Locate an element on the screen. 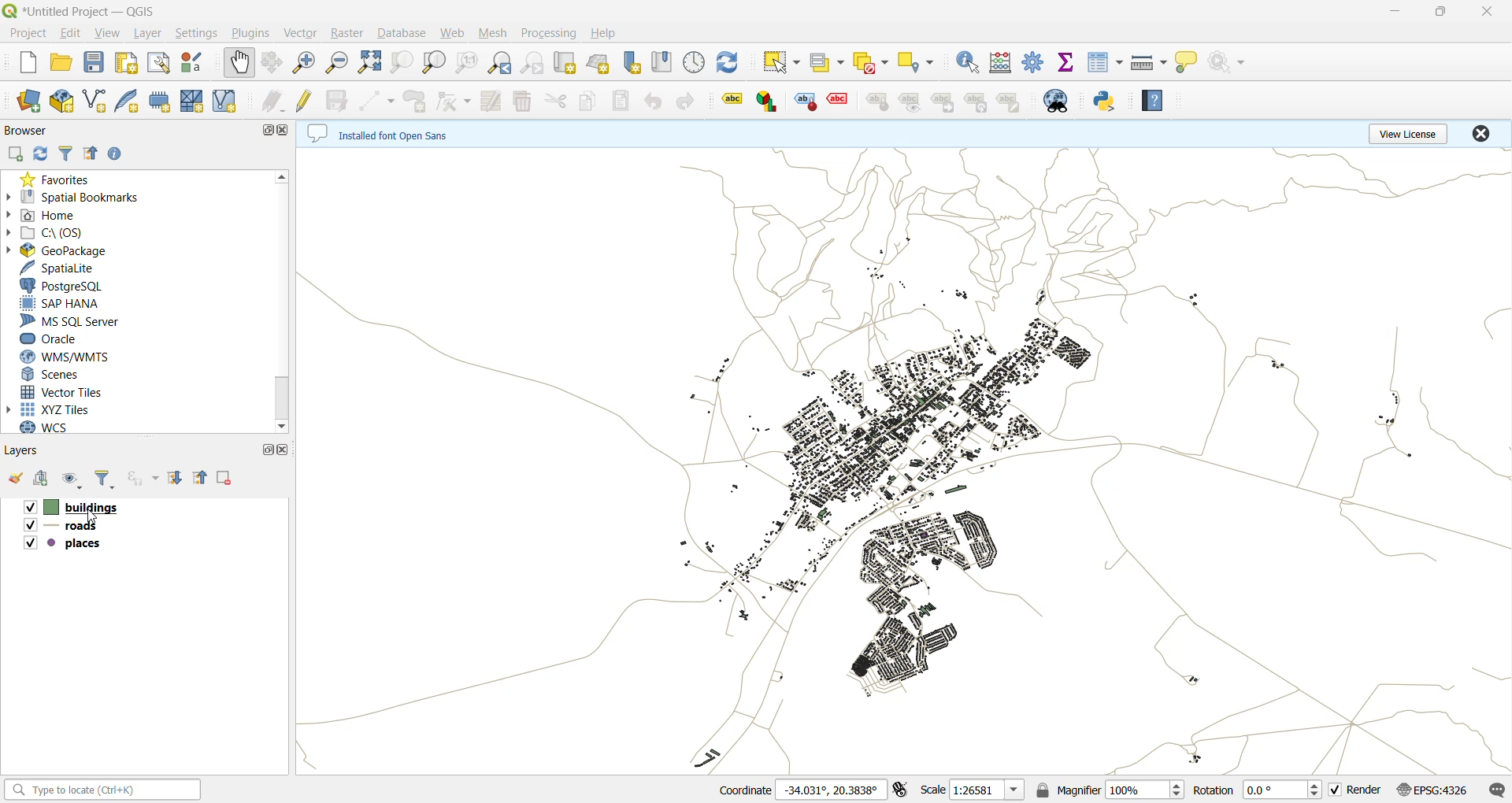 Image resolution: width=1512 pixels, height=803 pixels. vector tiles is located at coordinates (67, 392).